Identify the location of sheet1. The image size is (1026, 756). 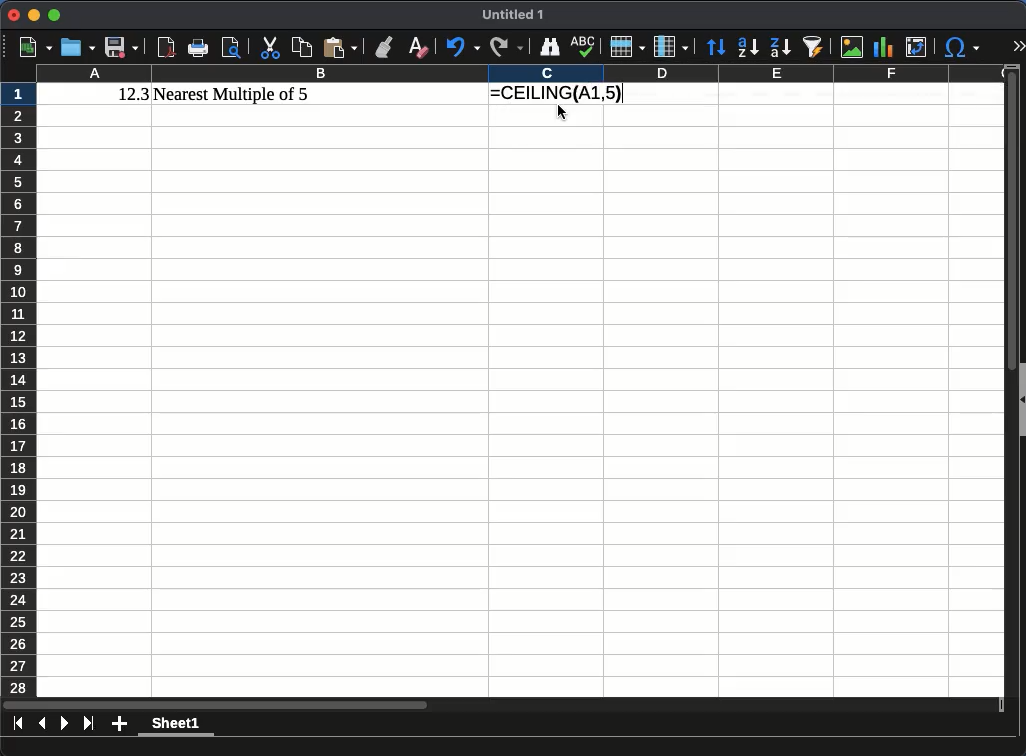
(177, 725).